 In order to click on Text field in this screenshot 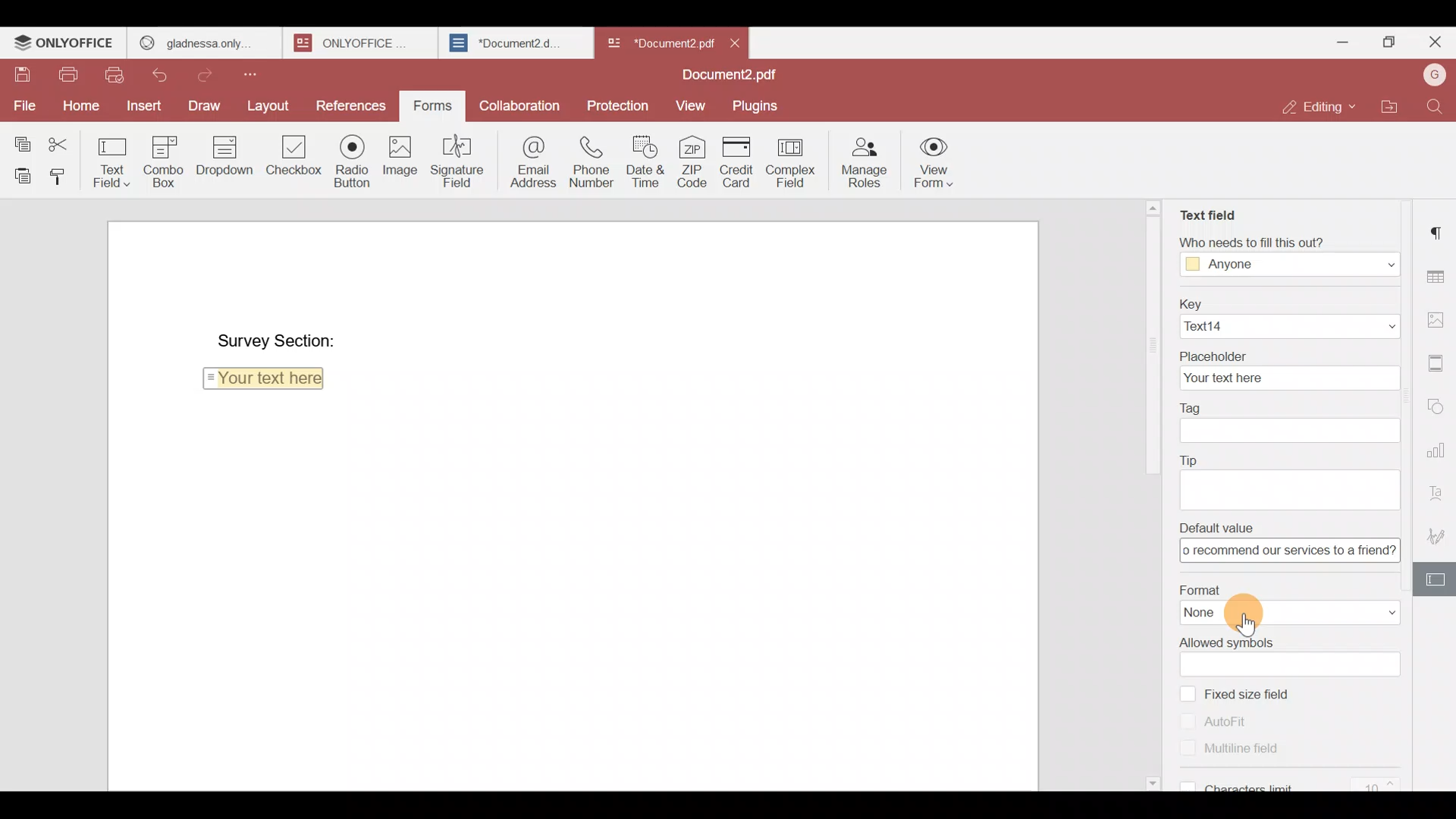, I will do `click(112, 158)`.